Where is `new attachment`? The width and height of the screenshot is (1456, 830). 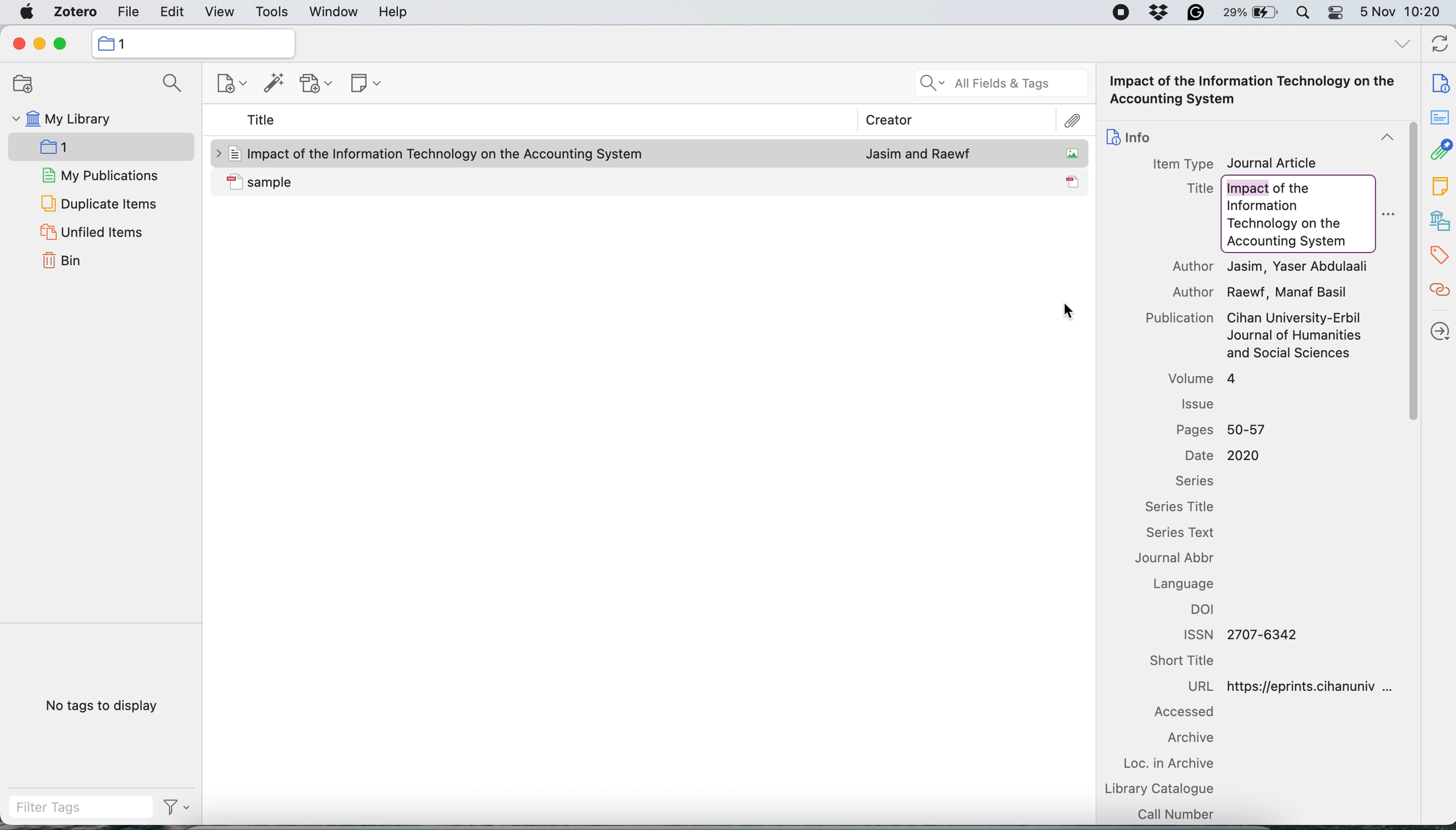
new attachment is located at coordinates (316, 85).